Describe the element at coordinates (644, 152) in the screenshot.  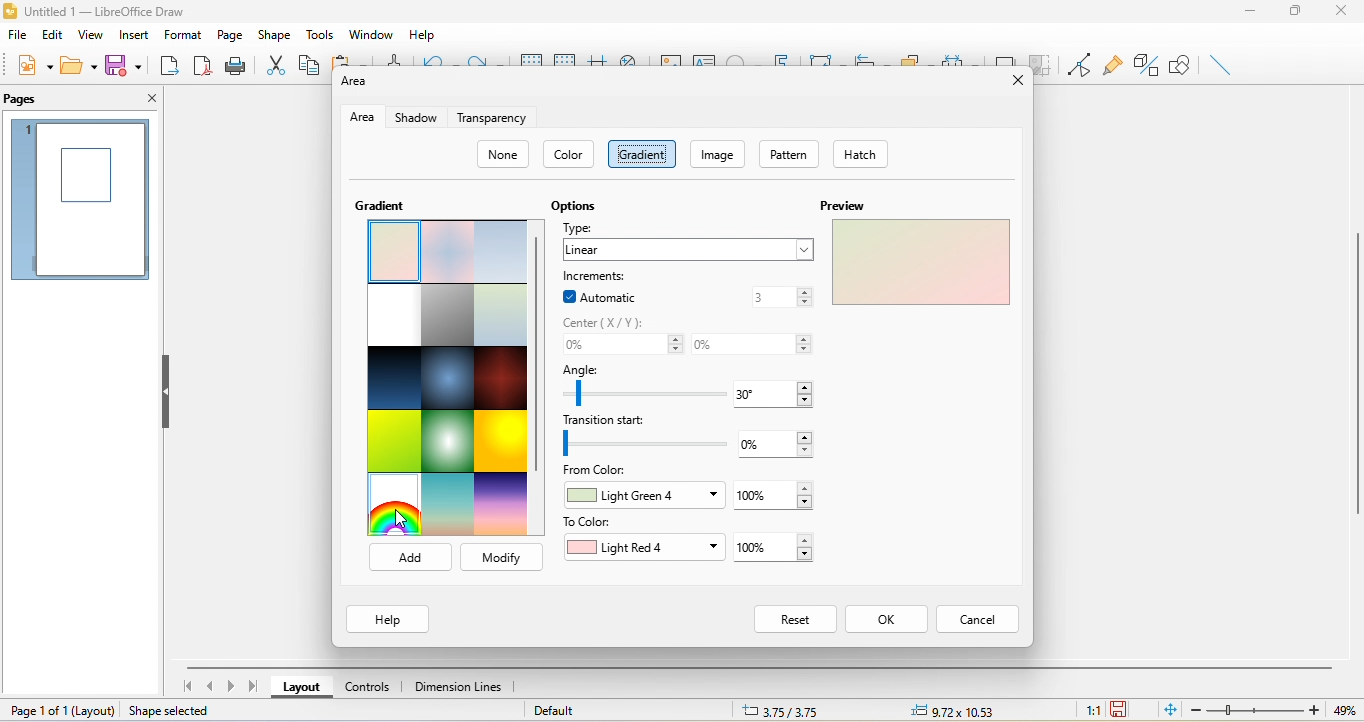
I see `gradient` at that location.